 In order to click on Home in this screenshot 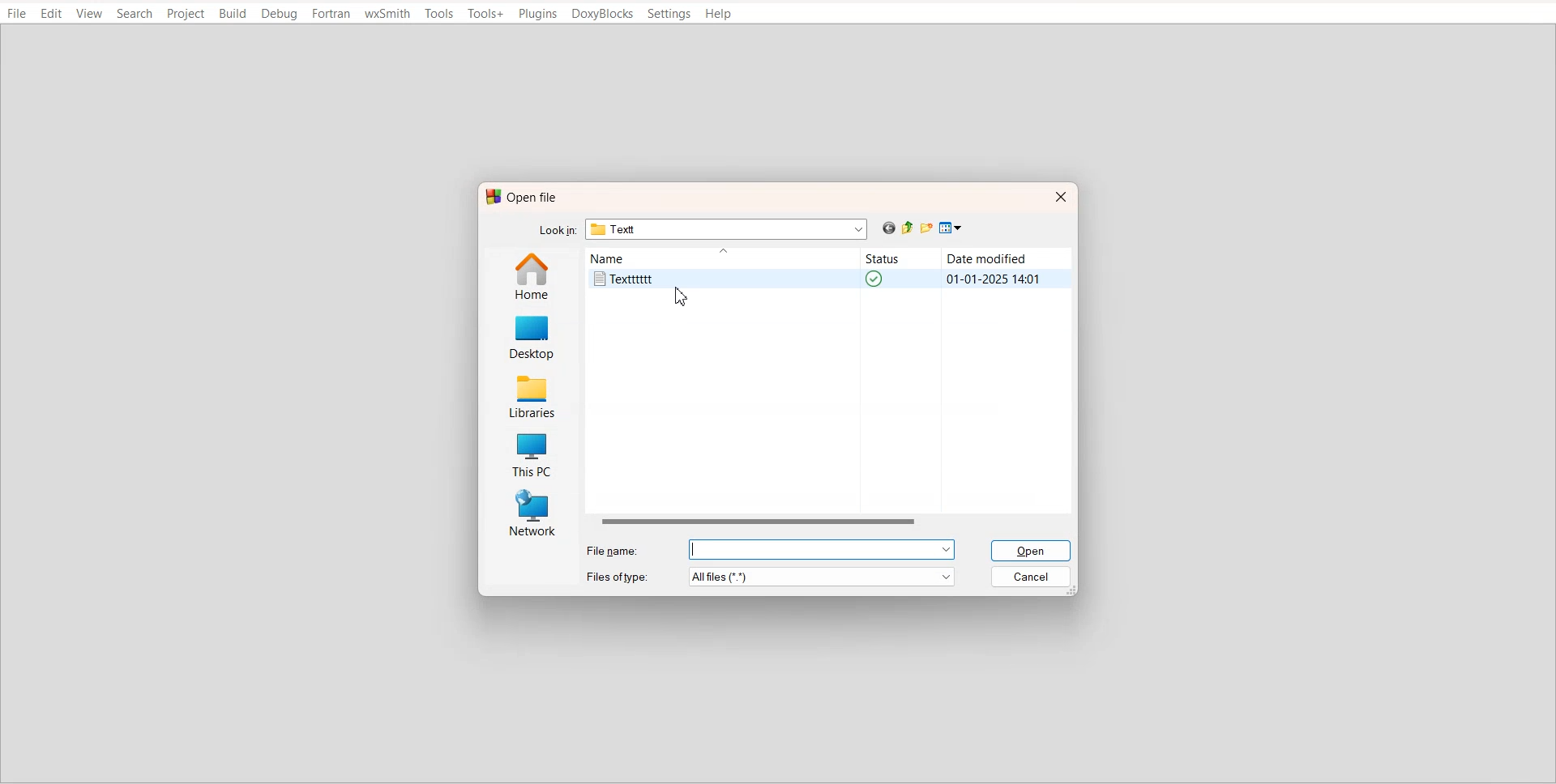, I will do `click(536, 277)`.